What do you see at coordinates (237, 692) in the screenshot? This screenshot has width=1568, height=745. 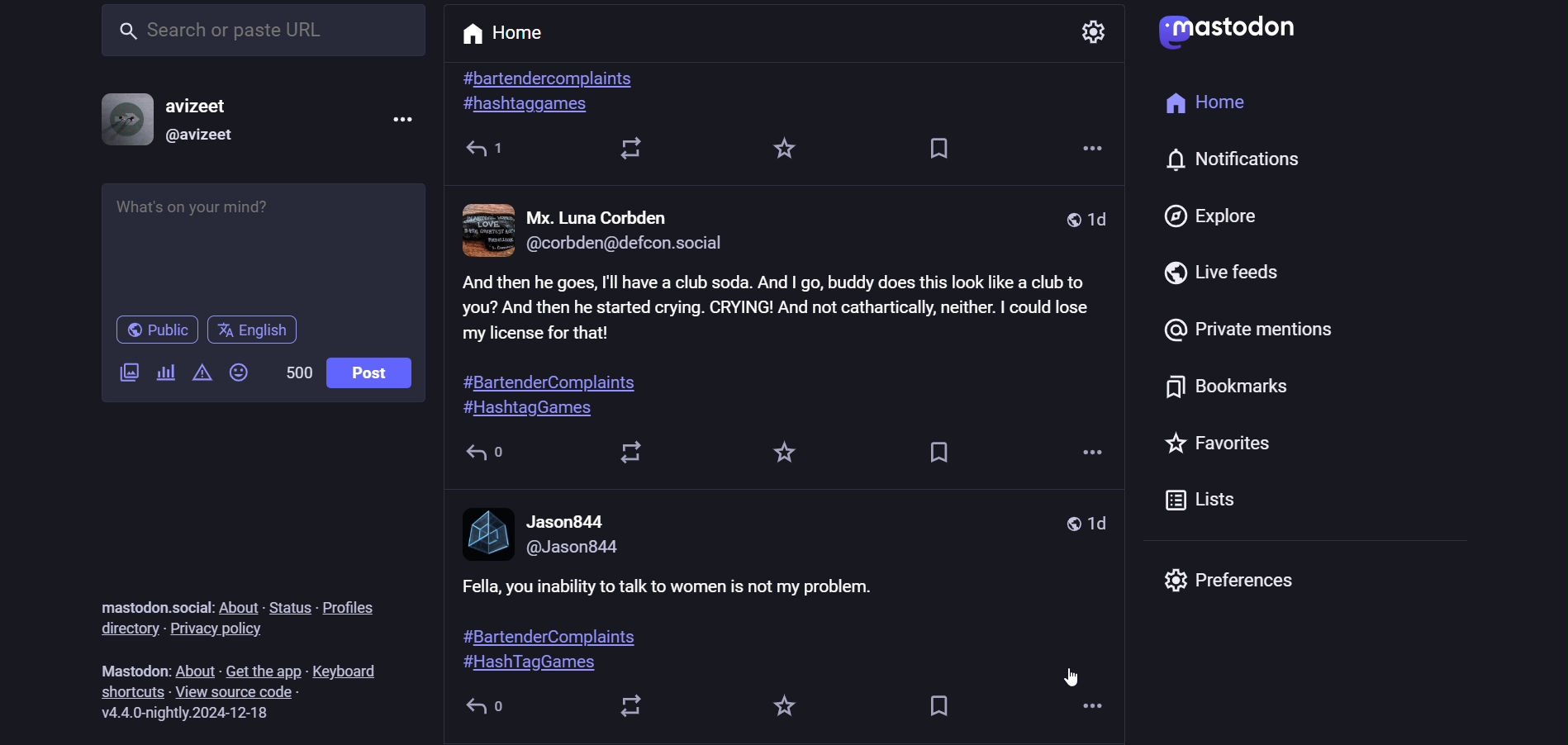 I see `view source code` at bounding box center [237, 692].